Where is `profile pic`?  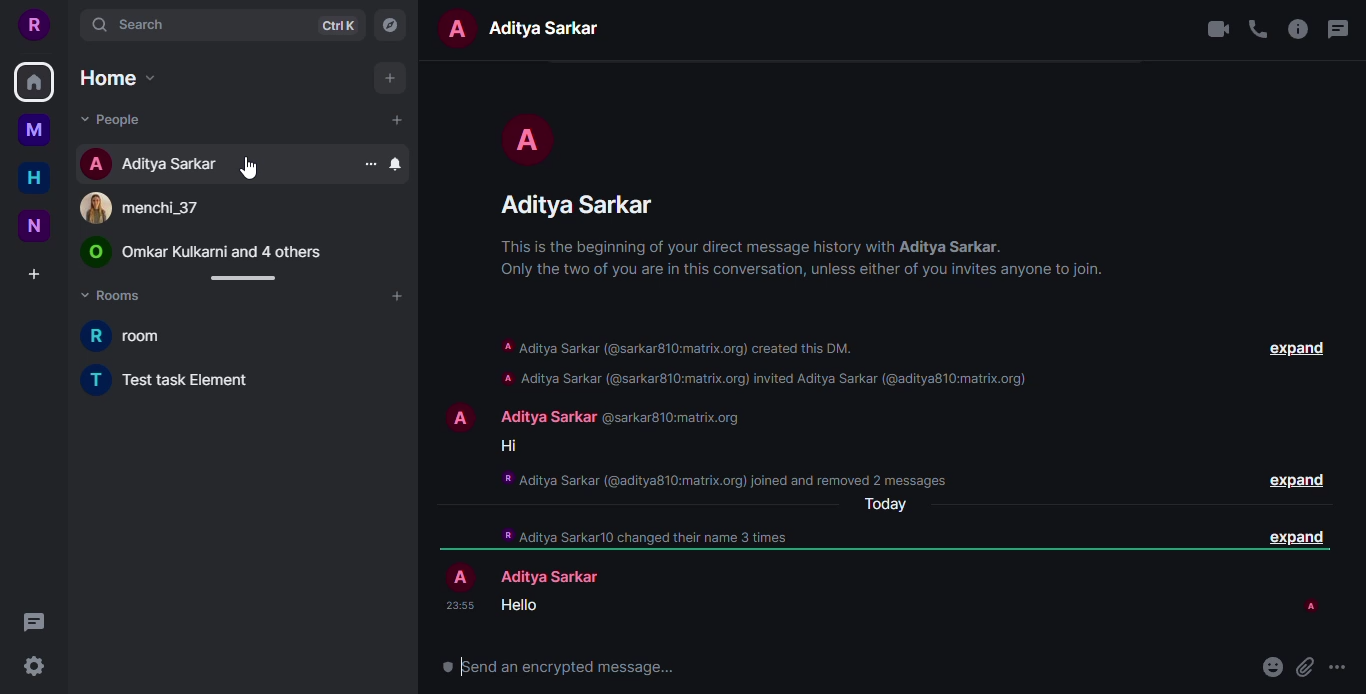
profile pic is located at coordinates (525, 135).